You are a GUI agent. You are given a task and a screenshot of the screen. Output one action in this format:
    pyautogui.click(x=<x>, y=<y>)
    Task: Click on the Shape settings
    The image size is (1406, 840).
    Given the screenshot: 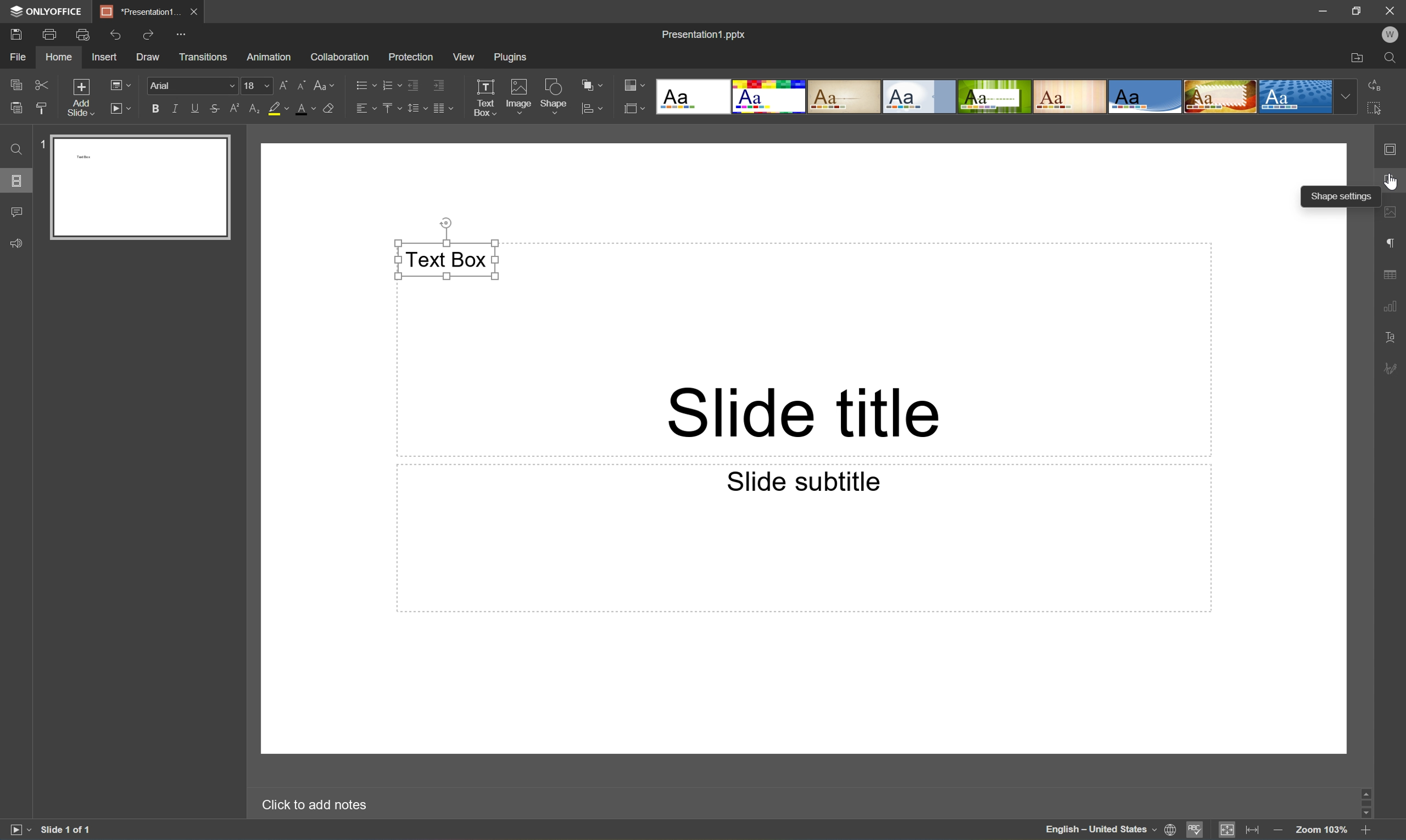 What is the action you would take?
    pyautogui.click(x=1340, y=196)
    